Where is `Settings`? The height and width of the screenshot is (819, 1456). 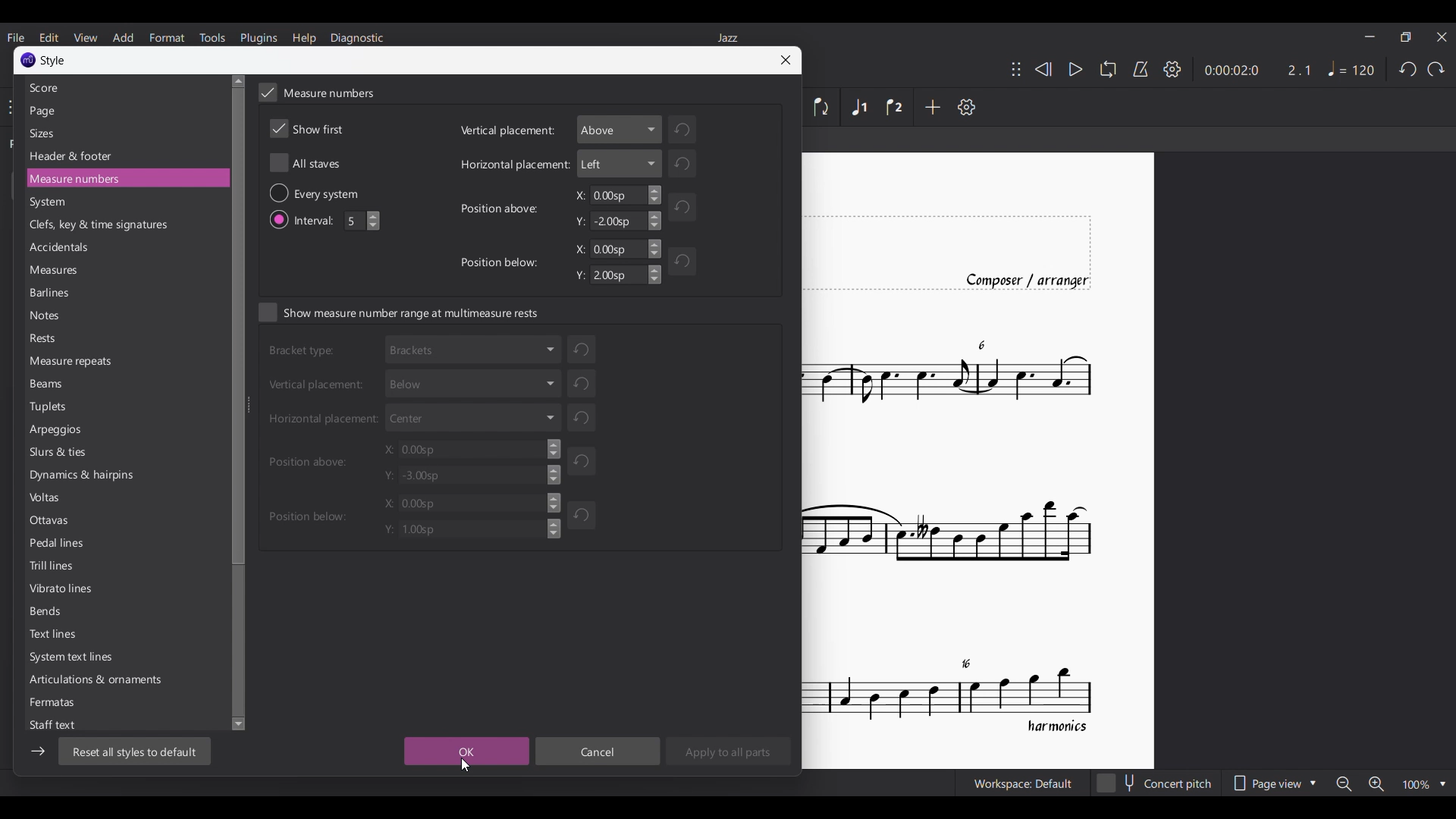
Settings is located at coordinates (1172, 69).